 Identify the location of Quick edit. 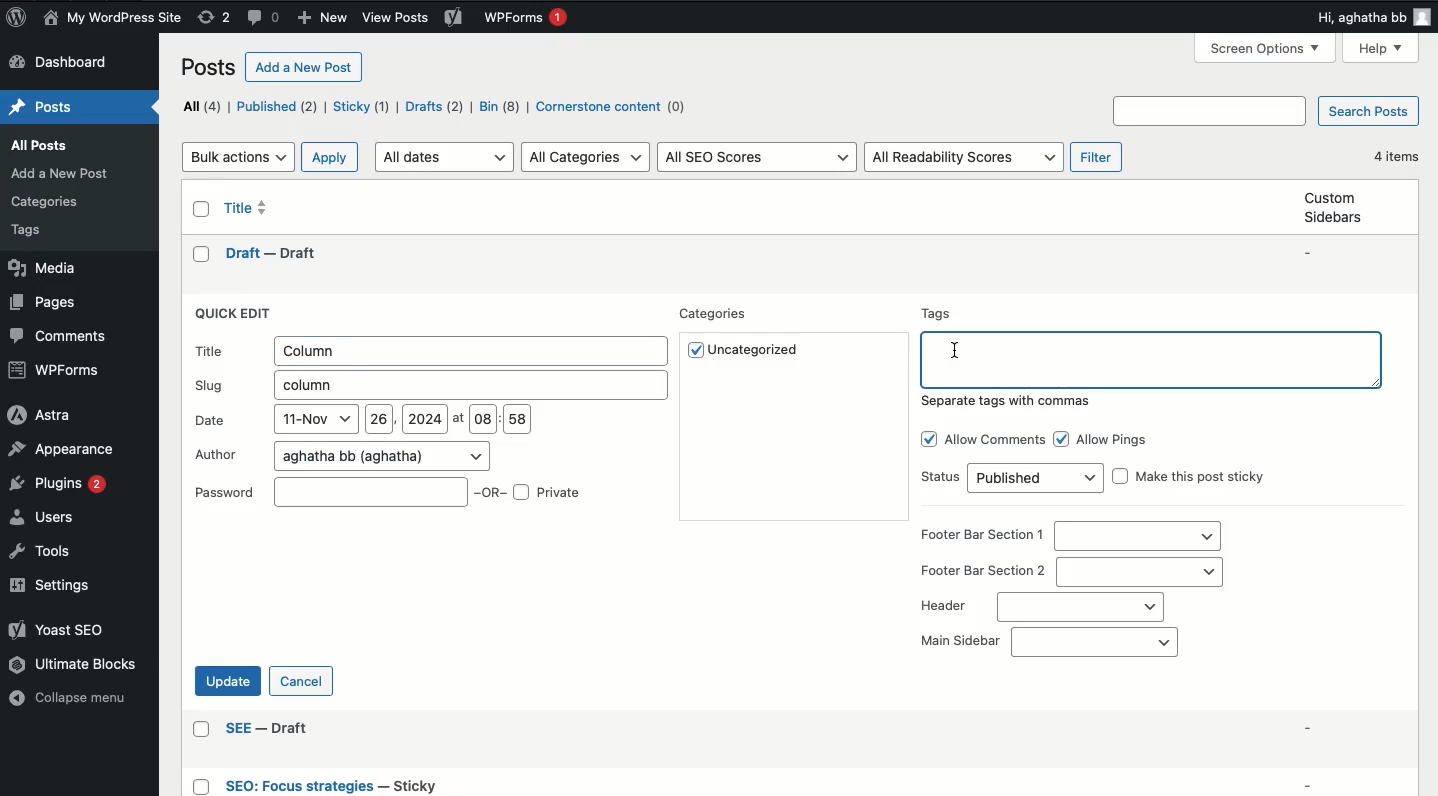
(236, 313).